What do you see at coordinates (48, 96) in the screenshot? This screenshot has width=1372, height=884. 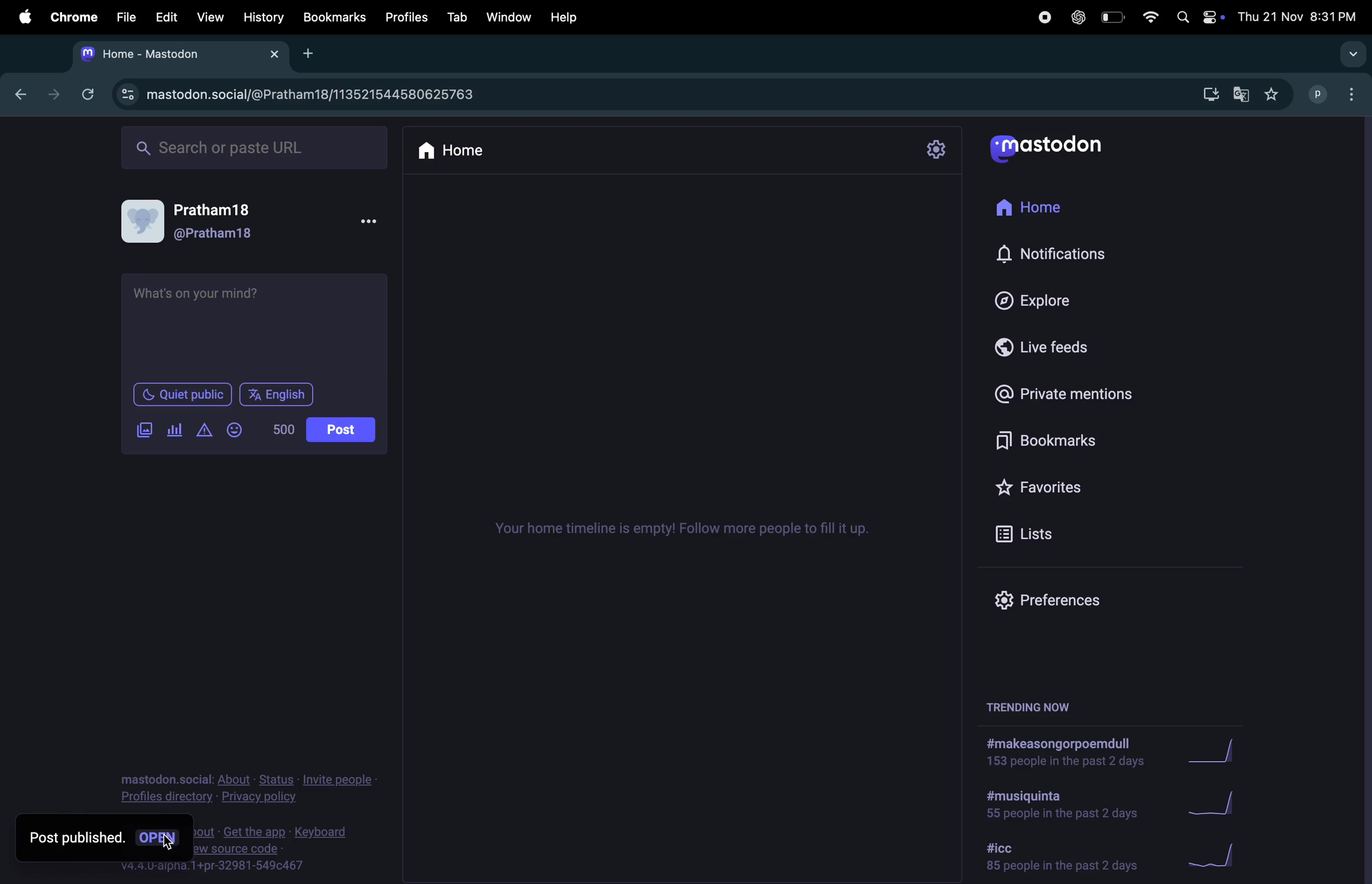 I see `forward` at bounding box center [48, 96].